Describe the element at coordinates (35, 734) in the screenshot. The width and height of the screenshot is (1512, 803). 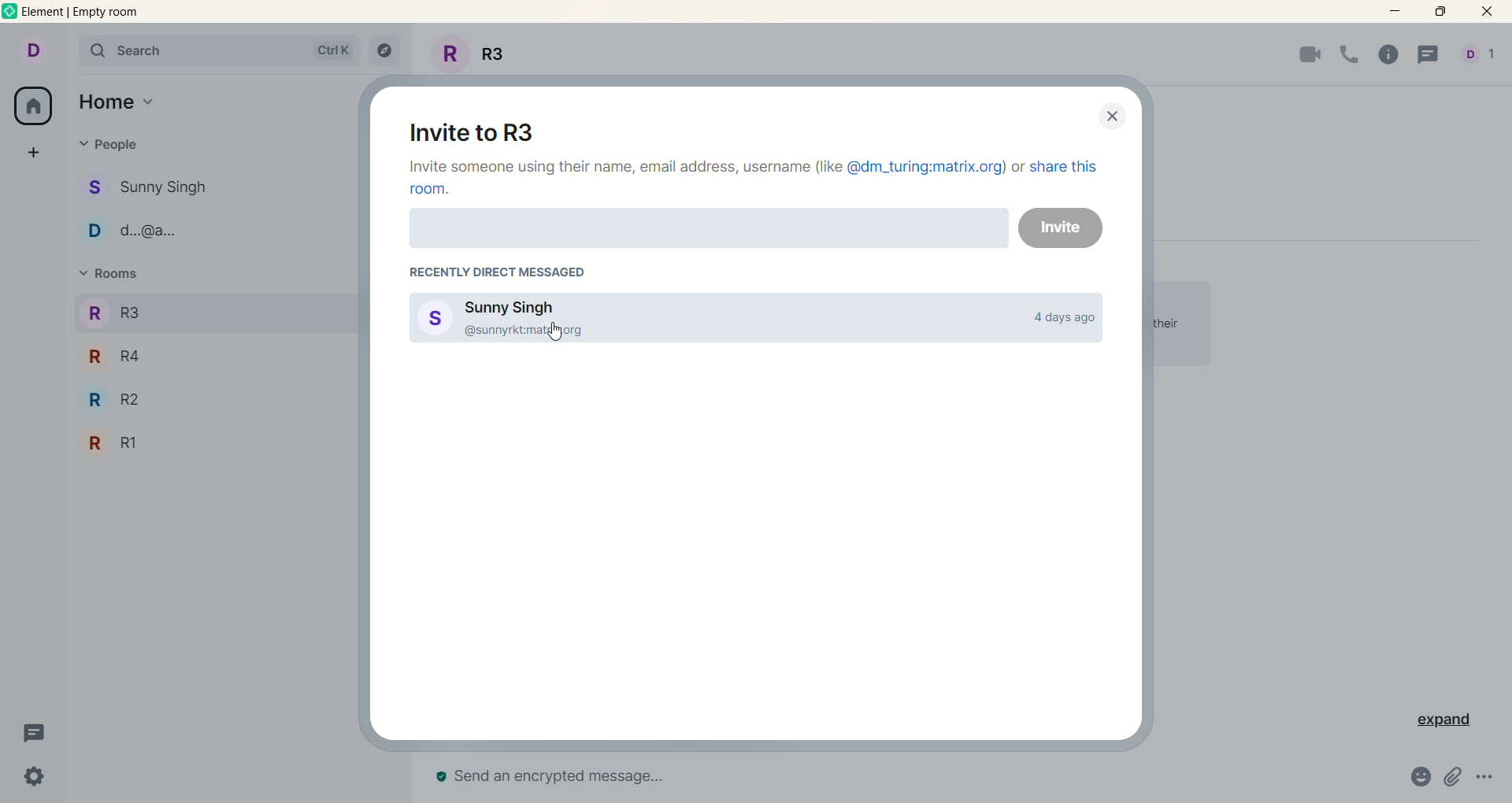
I see `threads` at that location.